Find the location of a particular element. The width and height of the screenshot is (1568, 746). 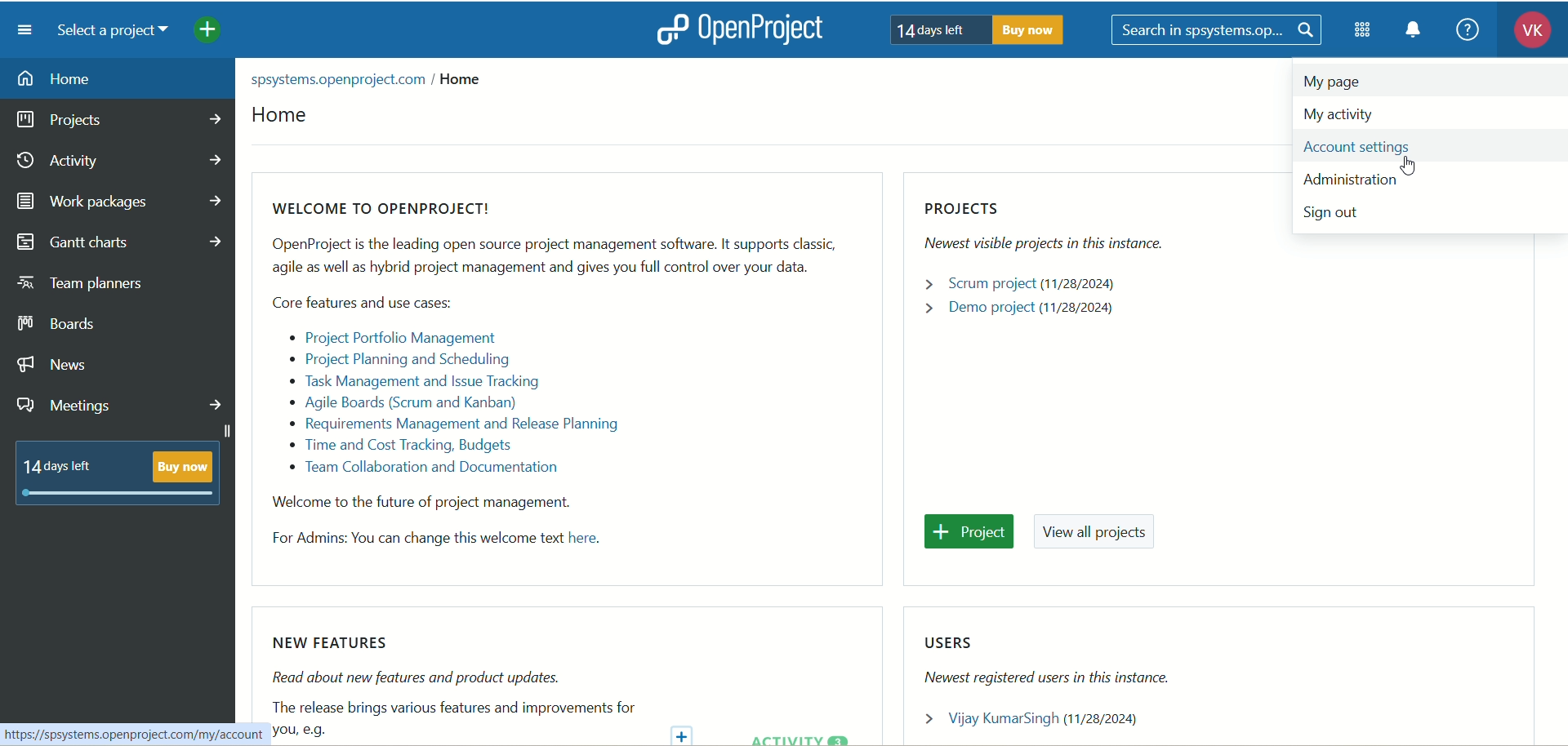

work packages is located at coordinates (119, 202).